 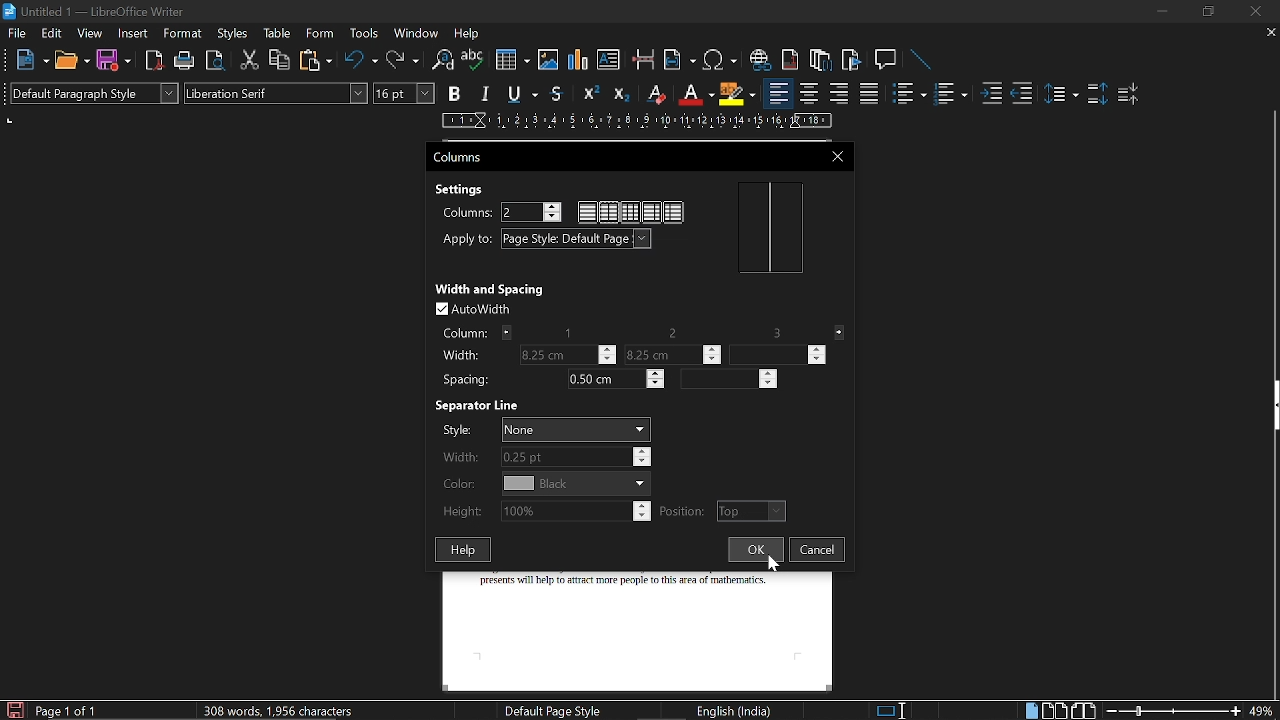 I want to click on presents will help to attract more people to this area of mathematics., so click(x=640, y=620).